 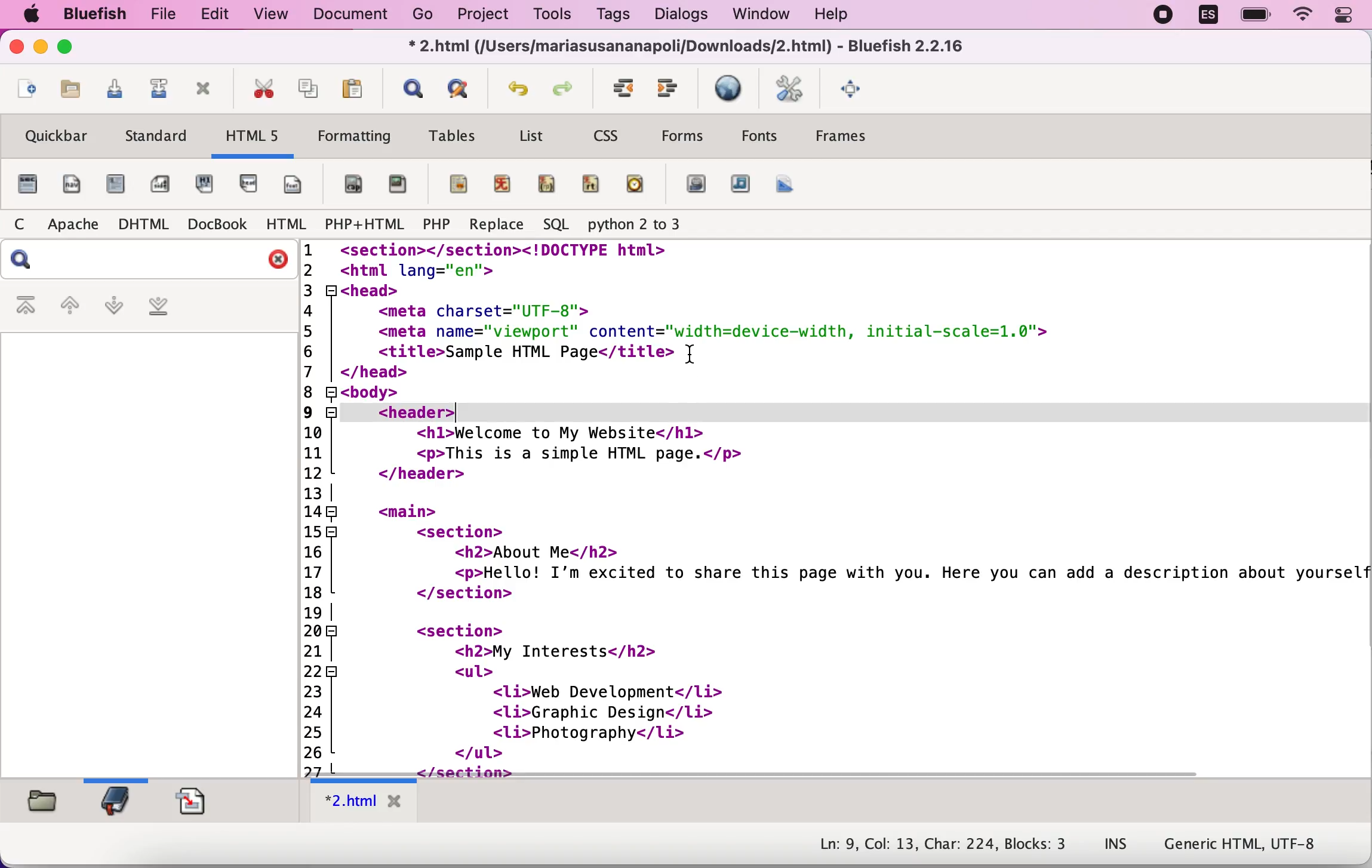 What do you see at coordinates (24, 93) in the screenshot?
I see `new file` at bounding box center [24, 93].